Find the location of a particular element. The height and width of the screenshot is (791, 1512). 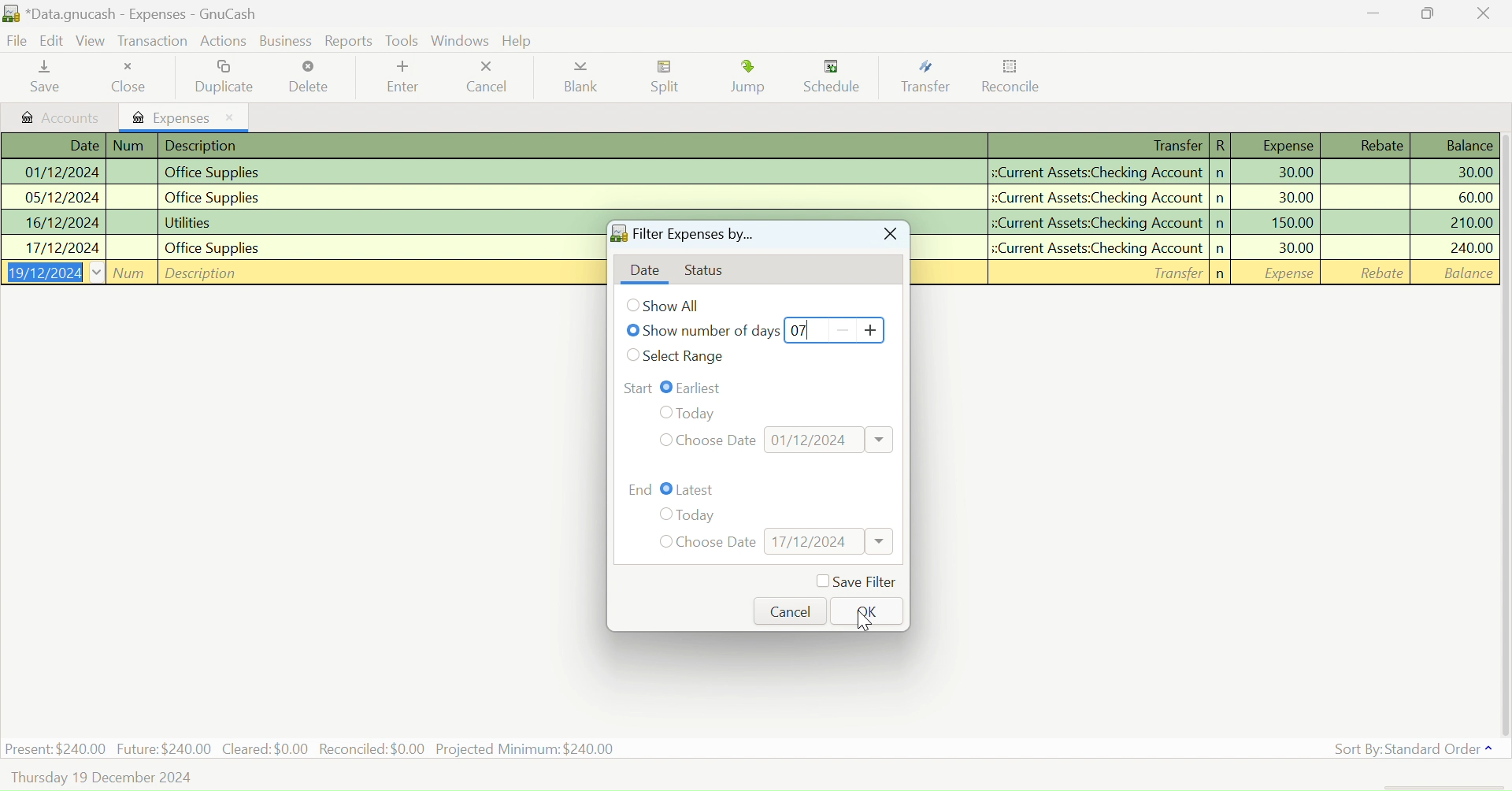

Close Window is located at coordinates (888, 236).